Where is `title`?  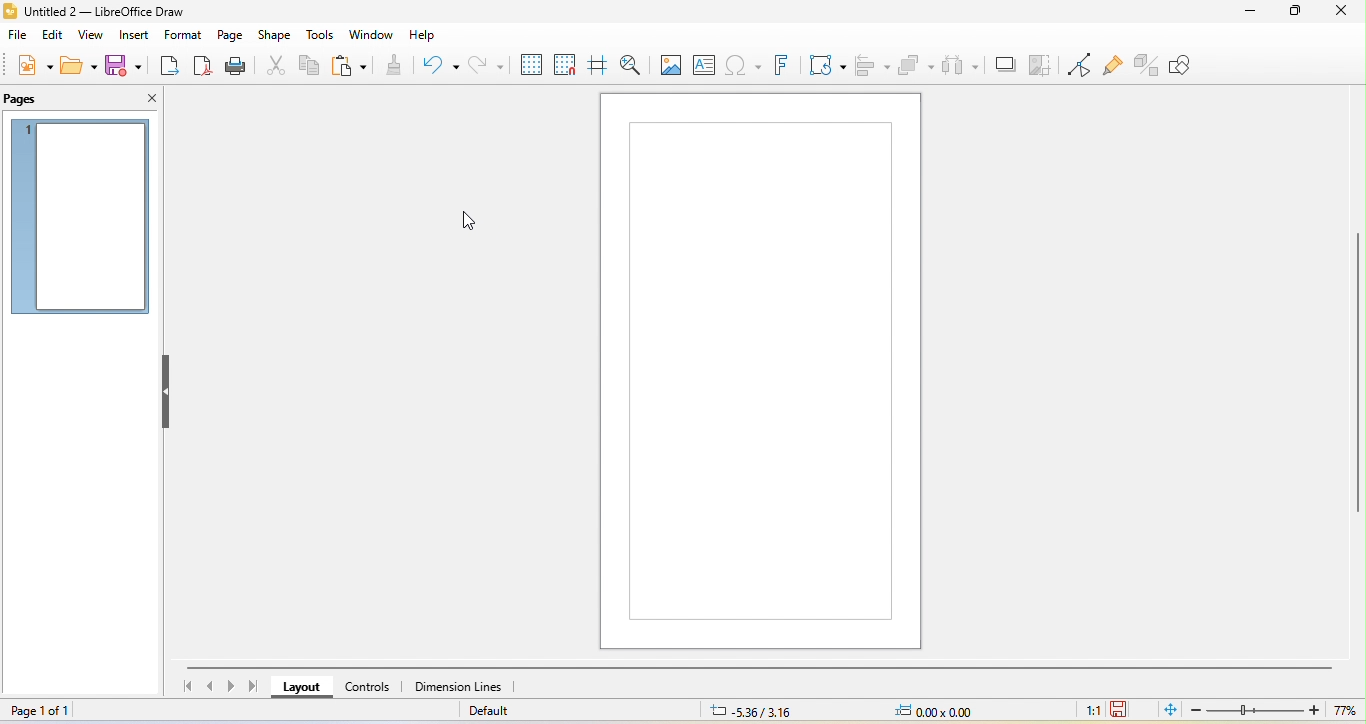
title is located at coordinates (122, 10).